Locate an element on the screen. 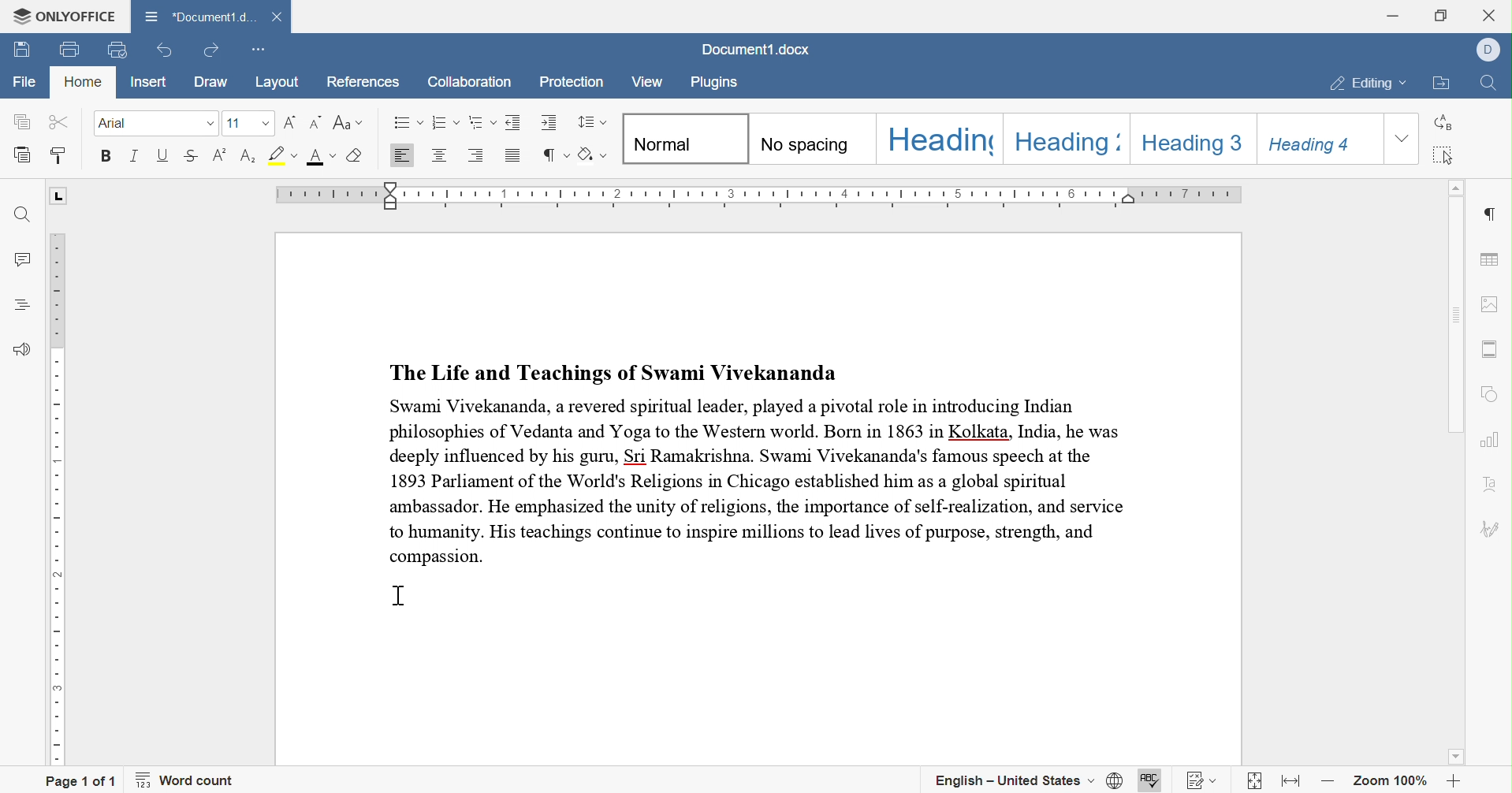 Image resolution: width=1512 pixels, height=793 pixels. shading is located at coordinates (594, 155).